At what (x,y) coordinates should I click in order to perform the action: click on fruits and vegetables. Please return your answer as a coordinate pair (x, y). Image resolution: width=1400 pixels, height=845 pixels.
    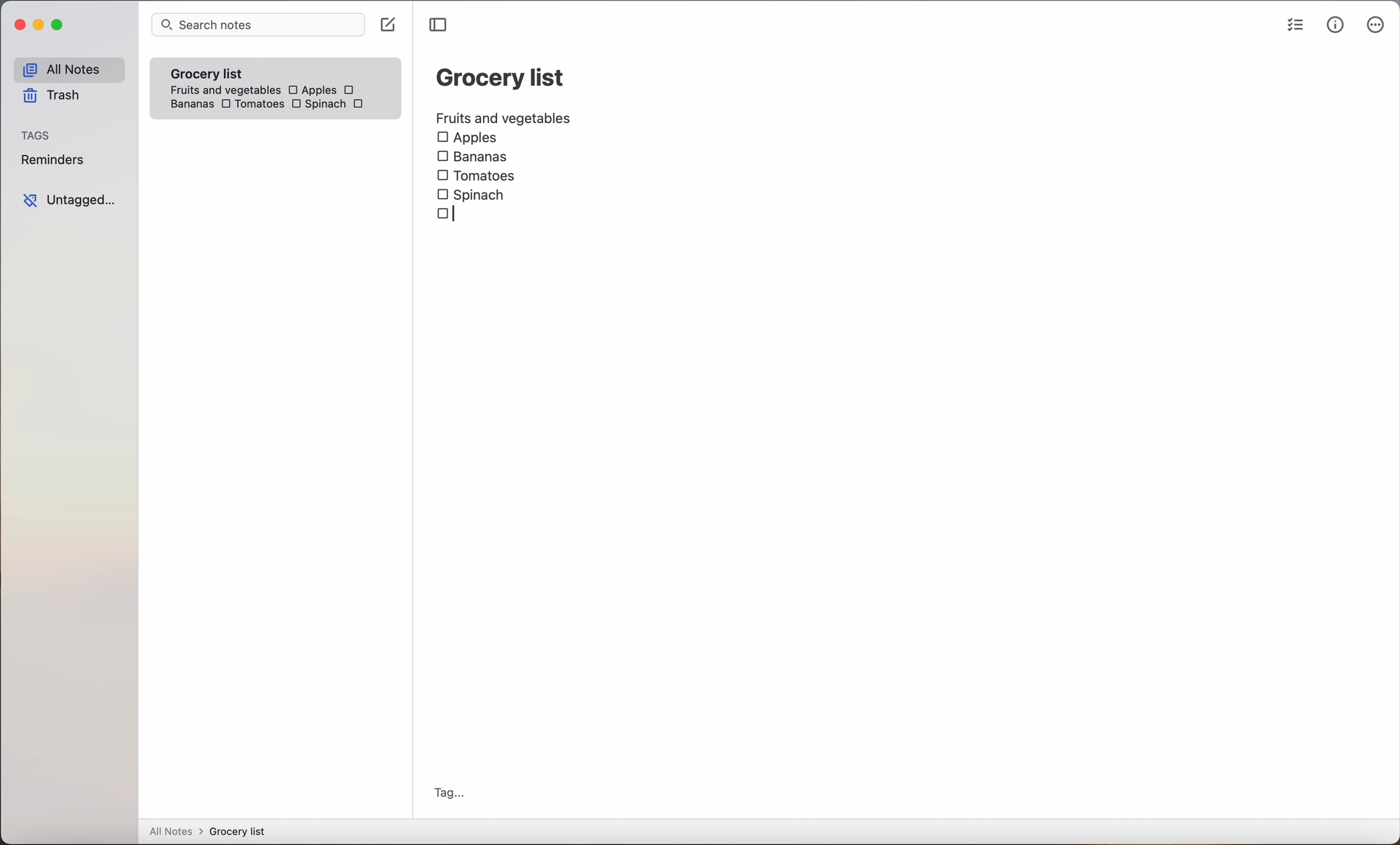
    Looking at the image, I should click on (505, 116).